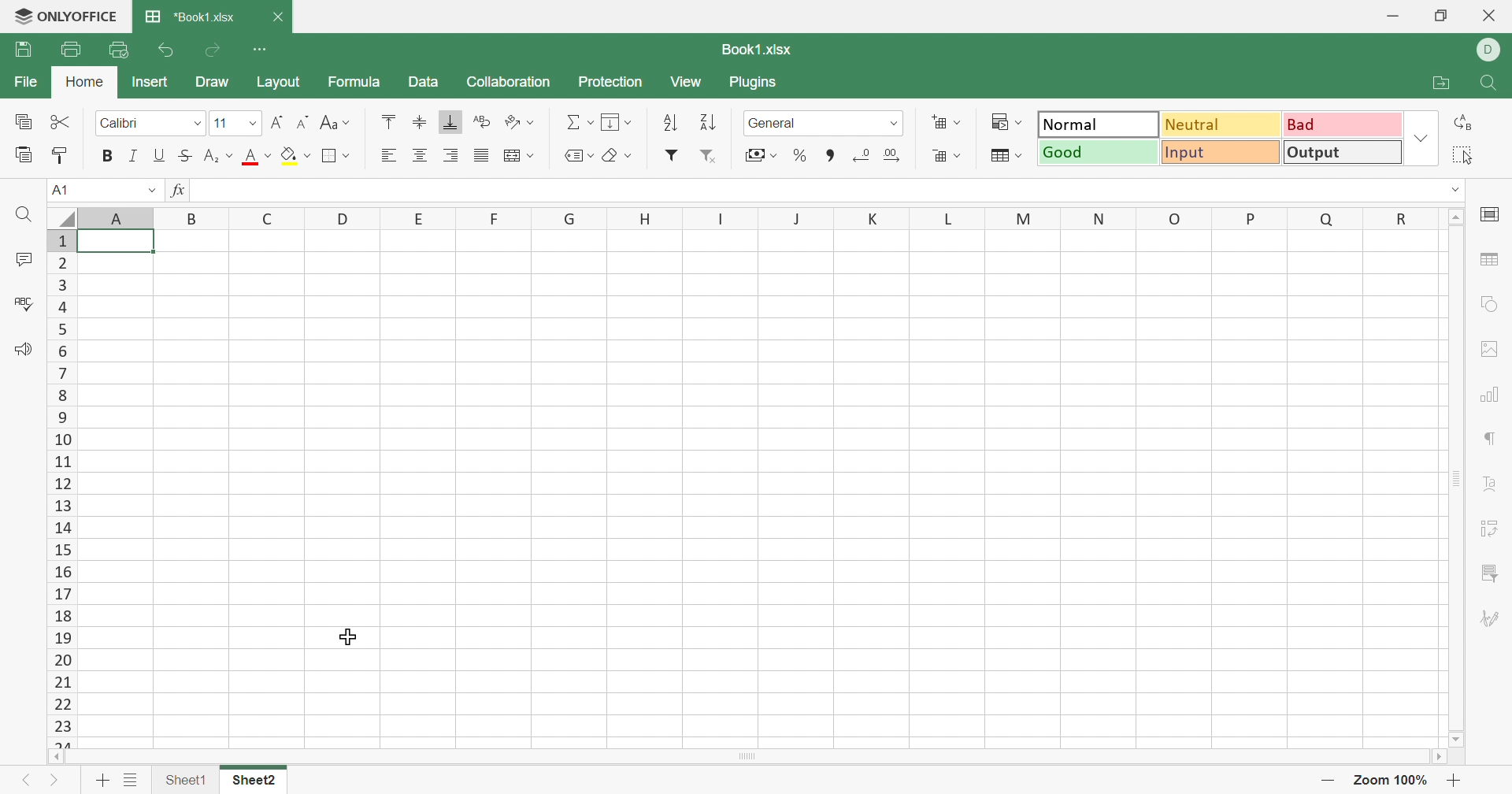  Describe the element at coordinates (24, 776) in the screenshot. I see `Previous` at that location.